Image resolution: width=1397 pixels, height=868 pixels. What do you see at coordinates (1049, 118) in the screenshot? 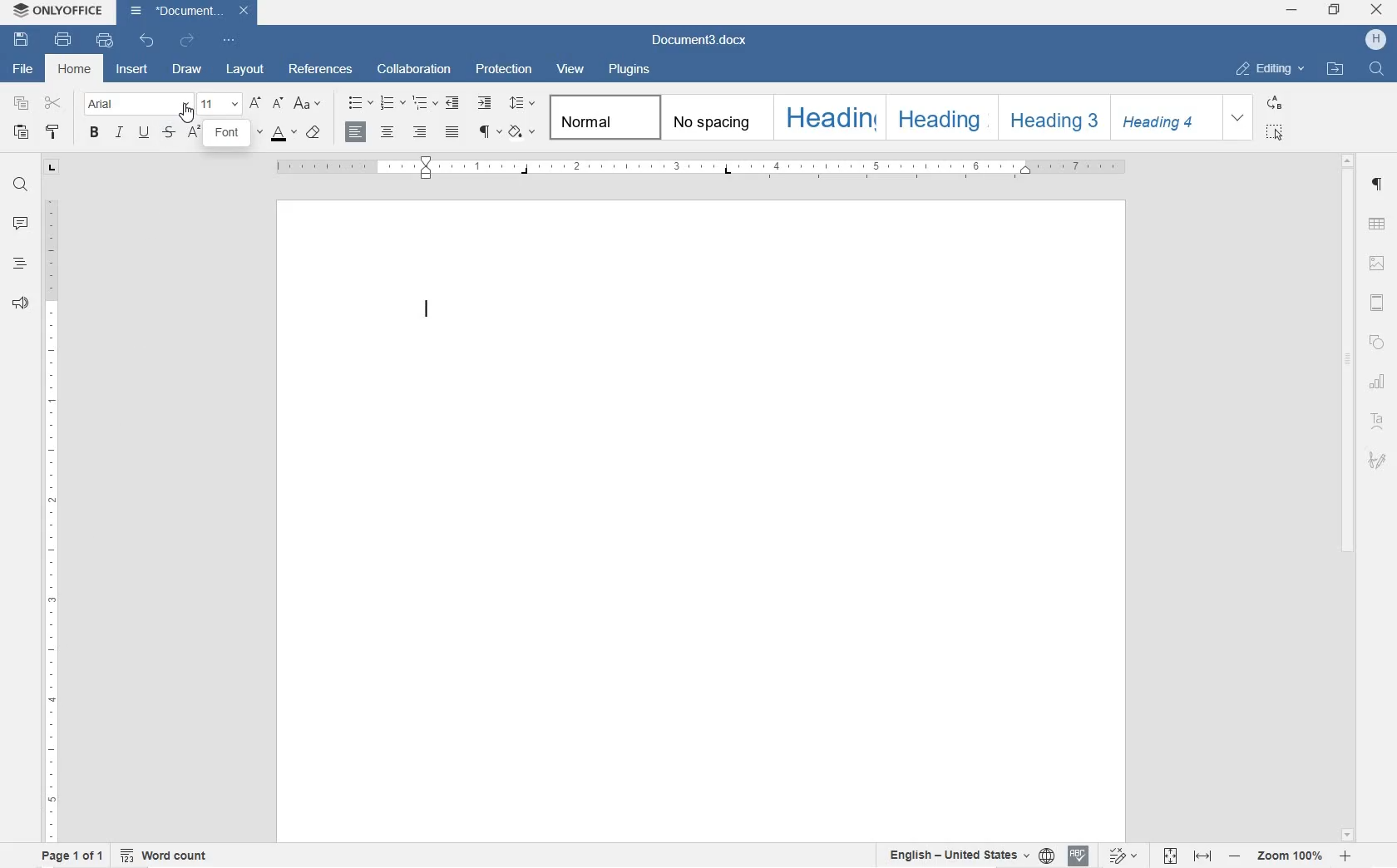
I see `HEADING 3` at bounding box center [1049, 118].